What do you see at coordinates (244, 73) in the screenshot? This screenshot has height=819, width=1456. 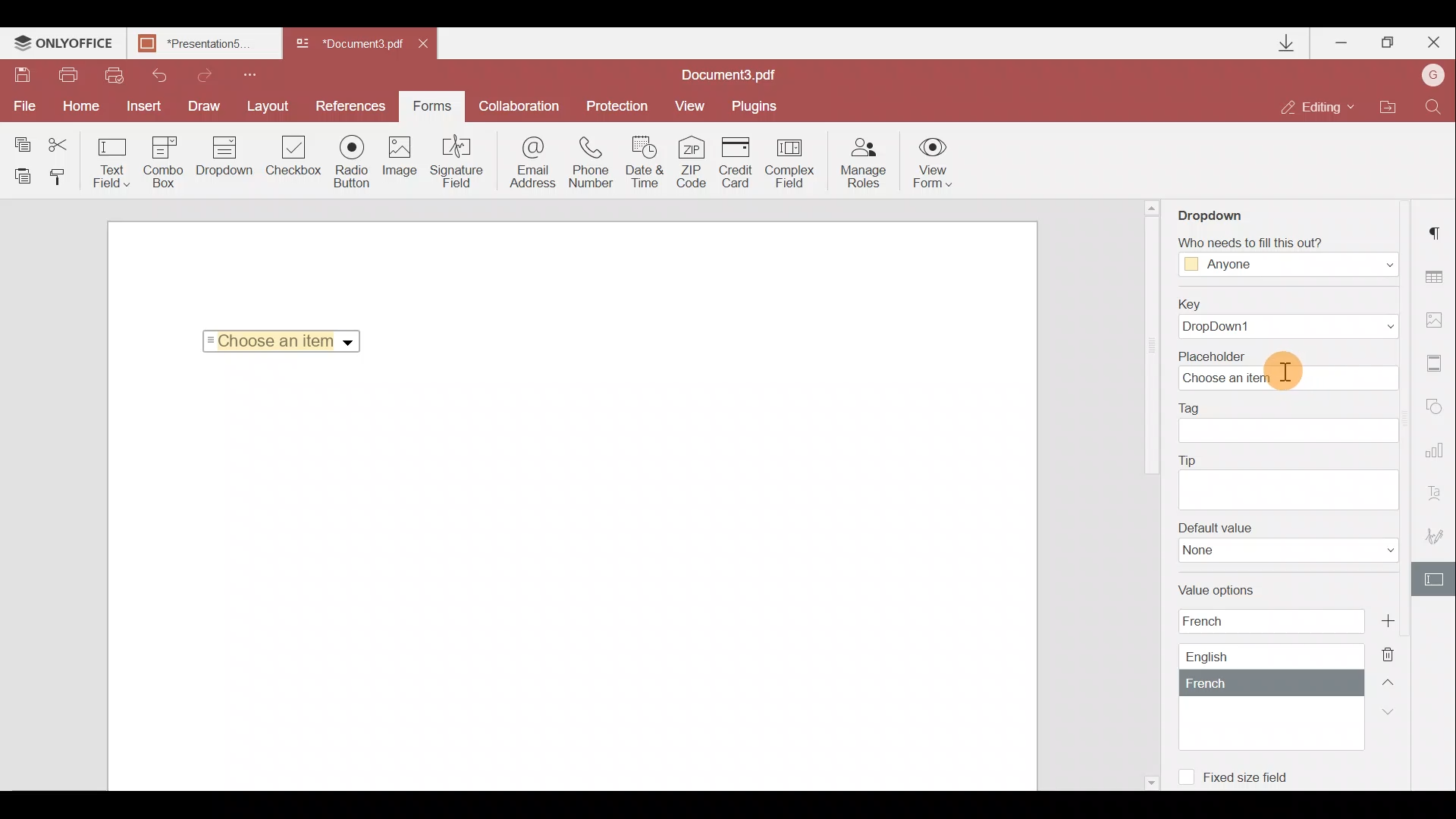 I see `Customize quick access toolbar` at bounding box center [244, 73].